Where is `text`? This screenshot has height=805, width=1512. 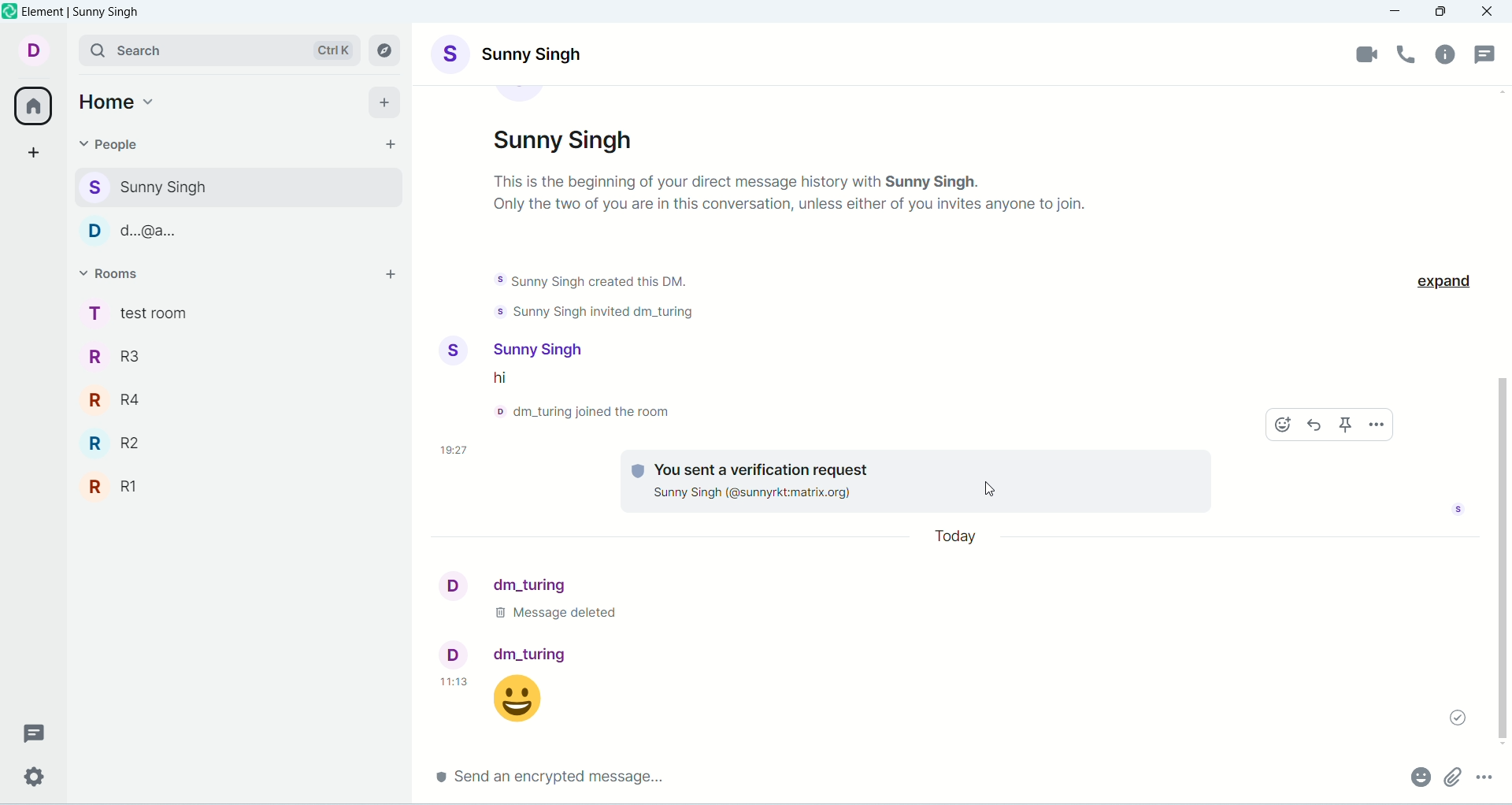 text is located at coordinates (561, 614).